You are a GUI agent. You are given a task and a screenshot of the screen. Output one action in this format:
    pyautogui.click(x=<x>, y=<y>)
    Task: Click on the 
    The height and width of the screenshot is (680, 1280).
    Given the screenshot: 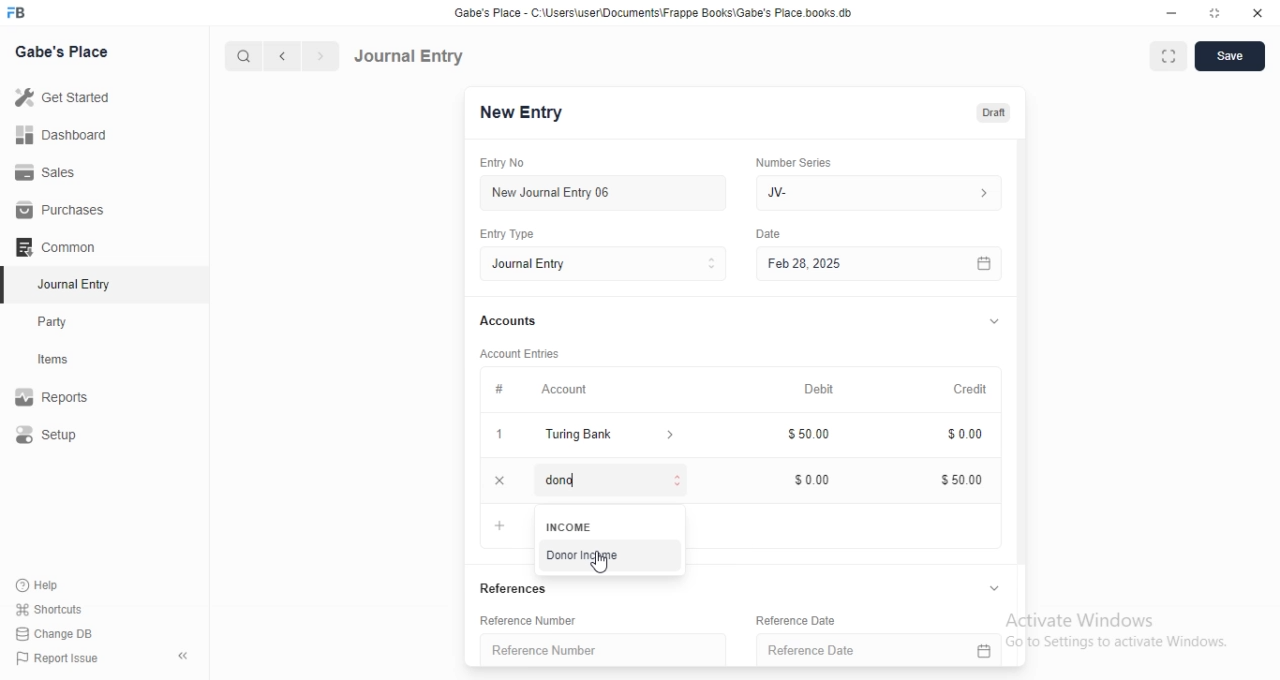 What is the action you would take?
    pyautogui.click(x=771, y=236)
    